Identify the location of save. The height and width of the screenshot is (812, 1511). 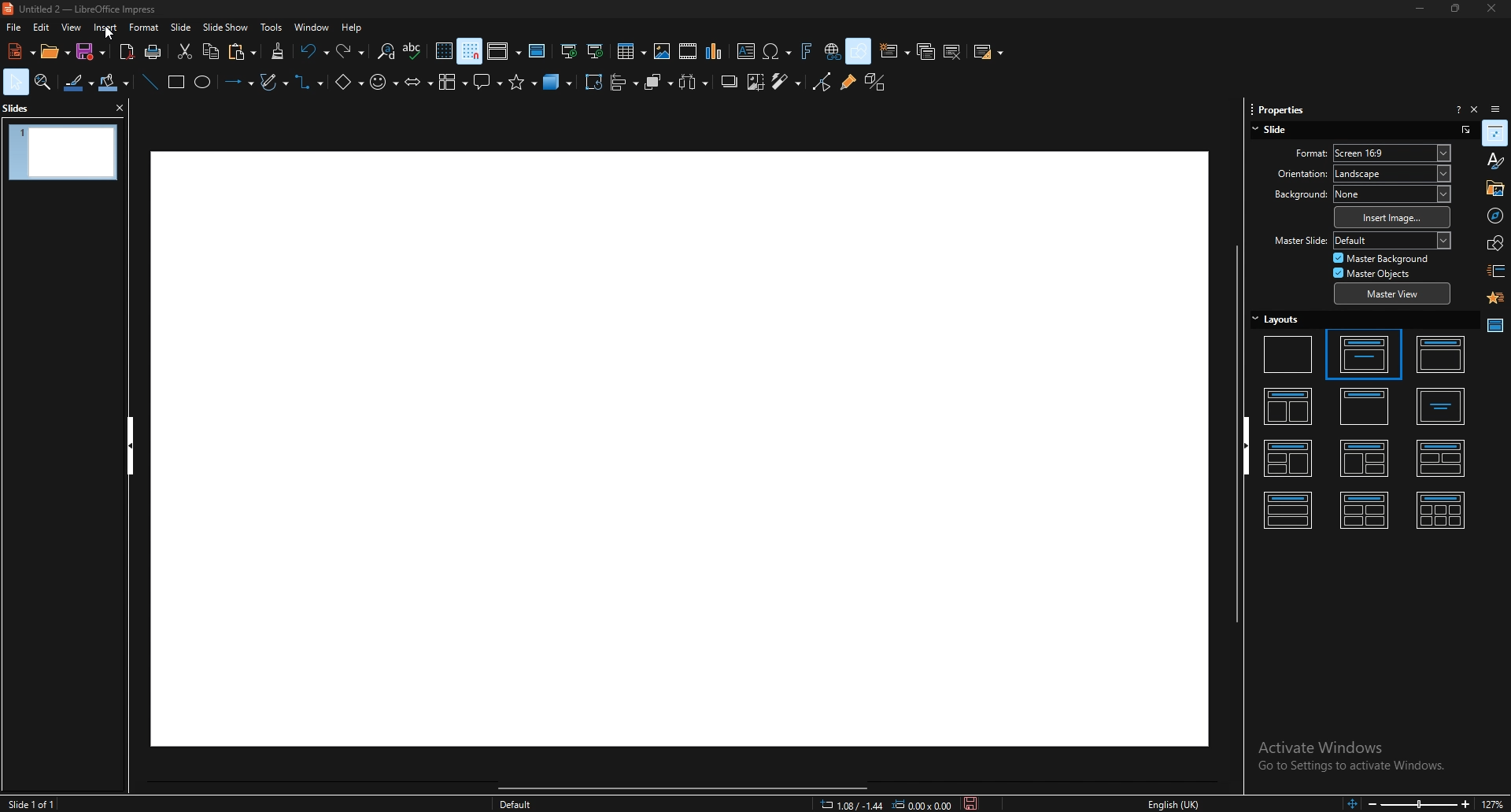
(93, 53).